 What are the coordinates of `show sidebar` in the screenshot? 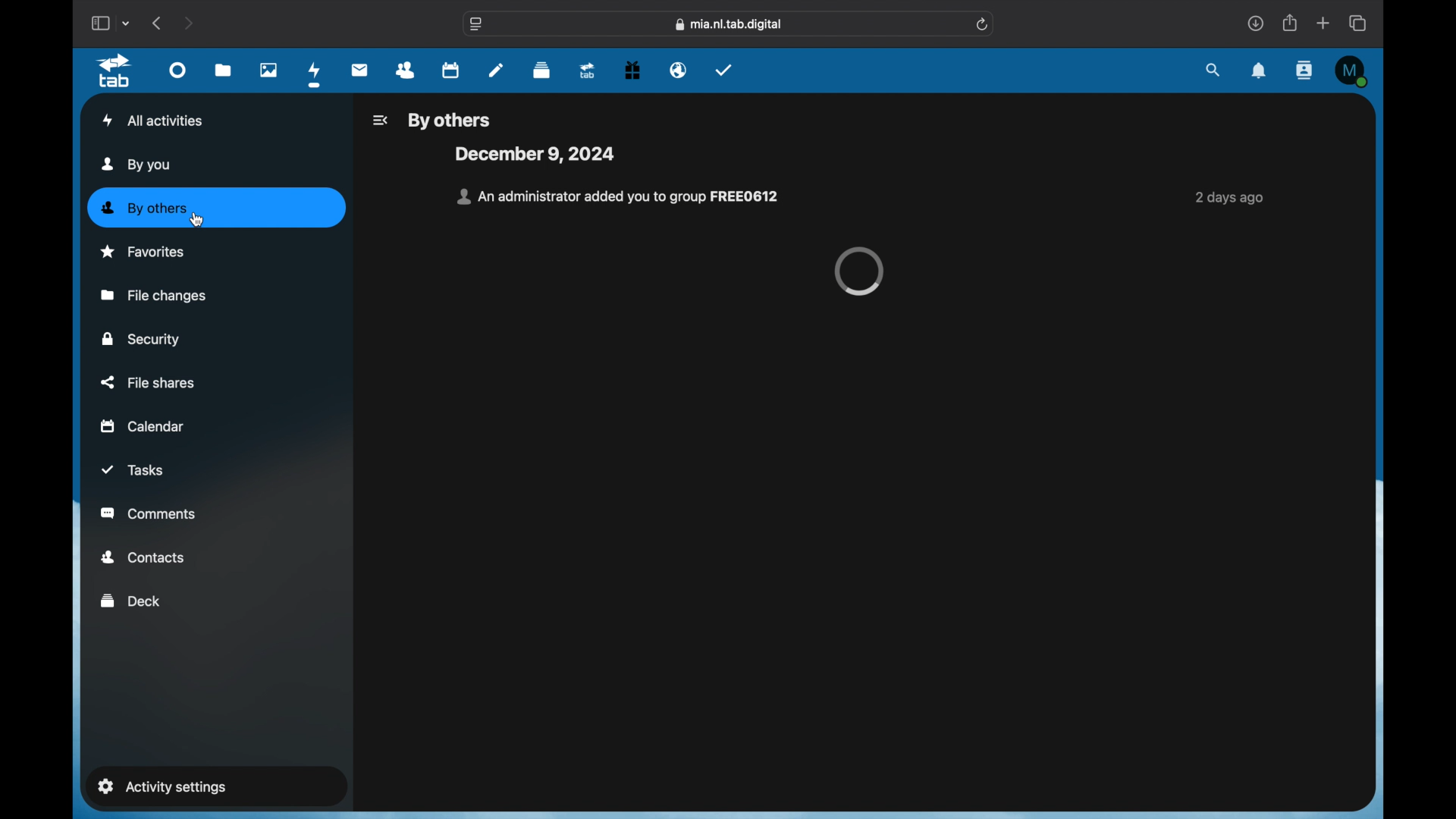 It's located at (99, 23).